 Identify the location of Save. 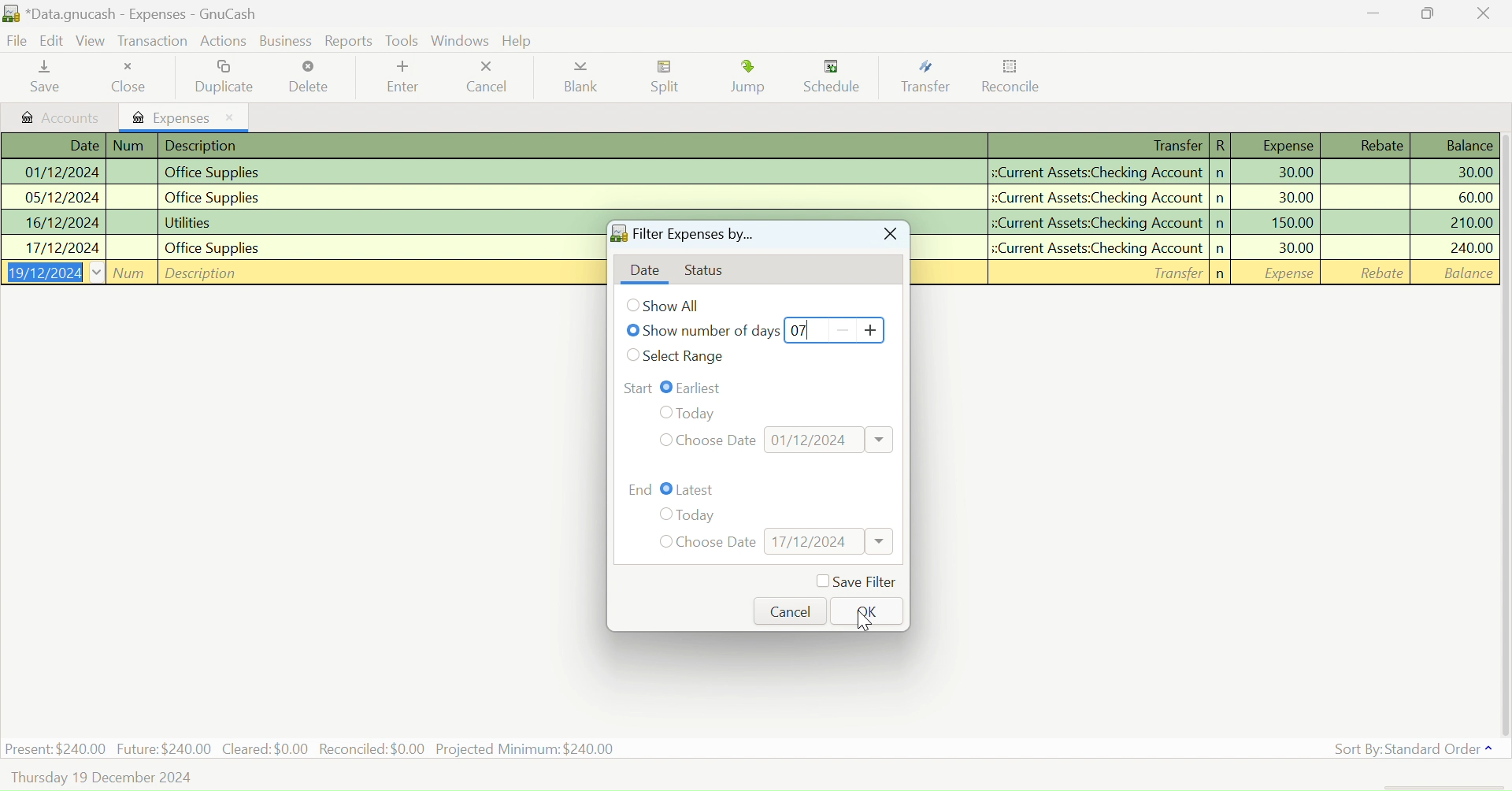
(43, 78).